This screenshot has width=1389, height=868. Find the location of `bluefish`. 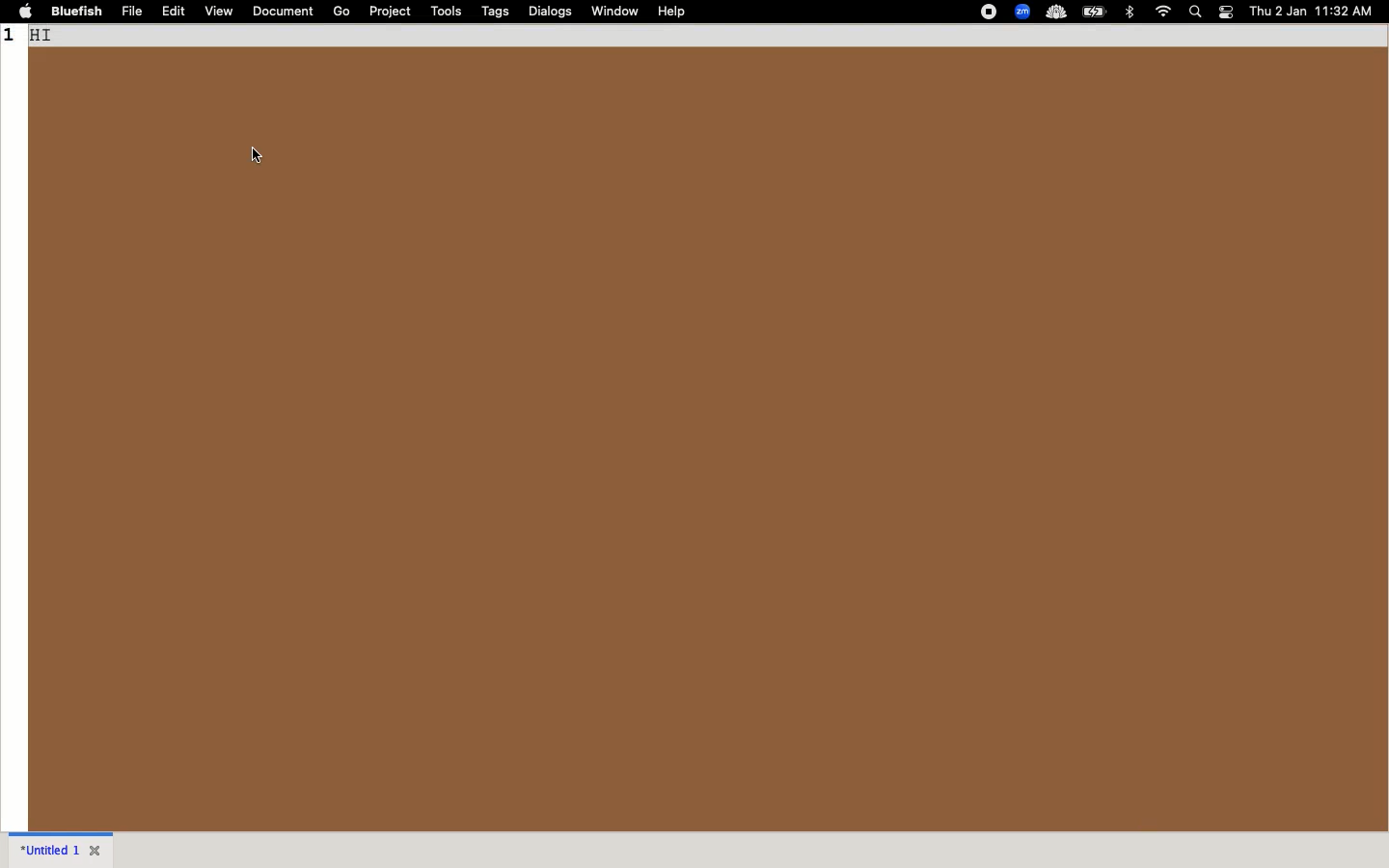

bluefish is located at coordinates (76, 12).